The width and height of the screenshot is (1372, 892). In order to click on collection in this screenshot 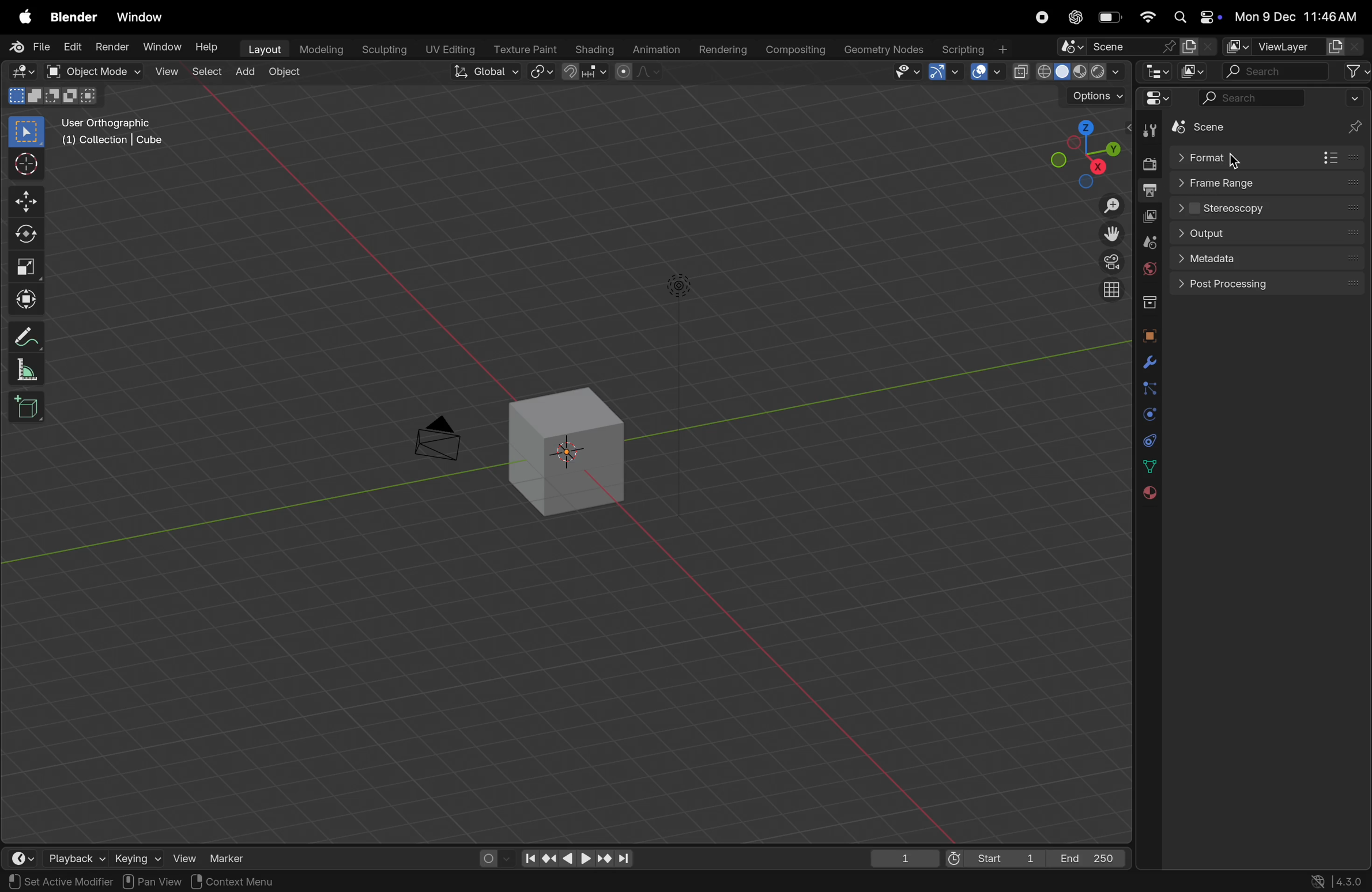, I will do `click(1150, 305)`.